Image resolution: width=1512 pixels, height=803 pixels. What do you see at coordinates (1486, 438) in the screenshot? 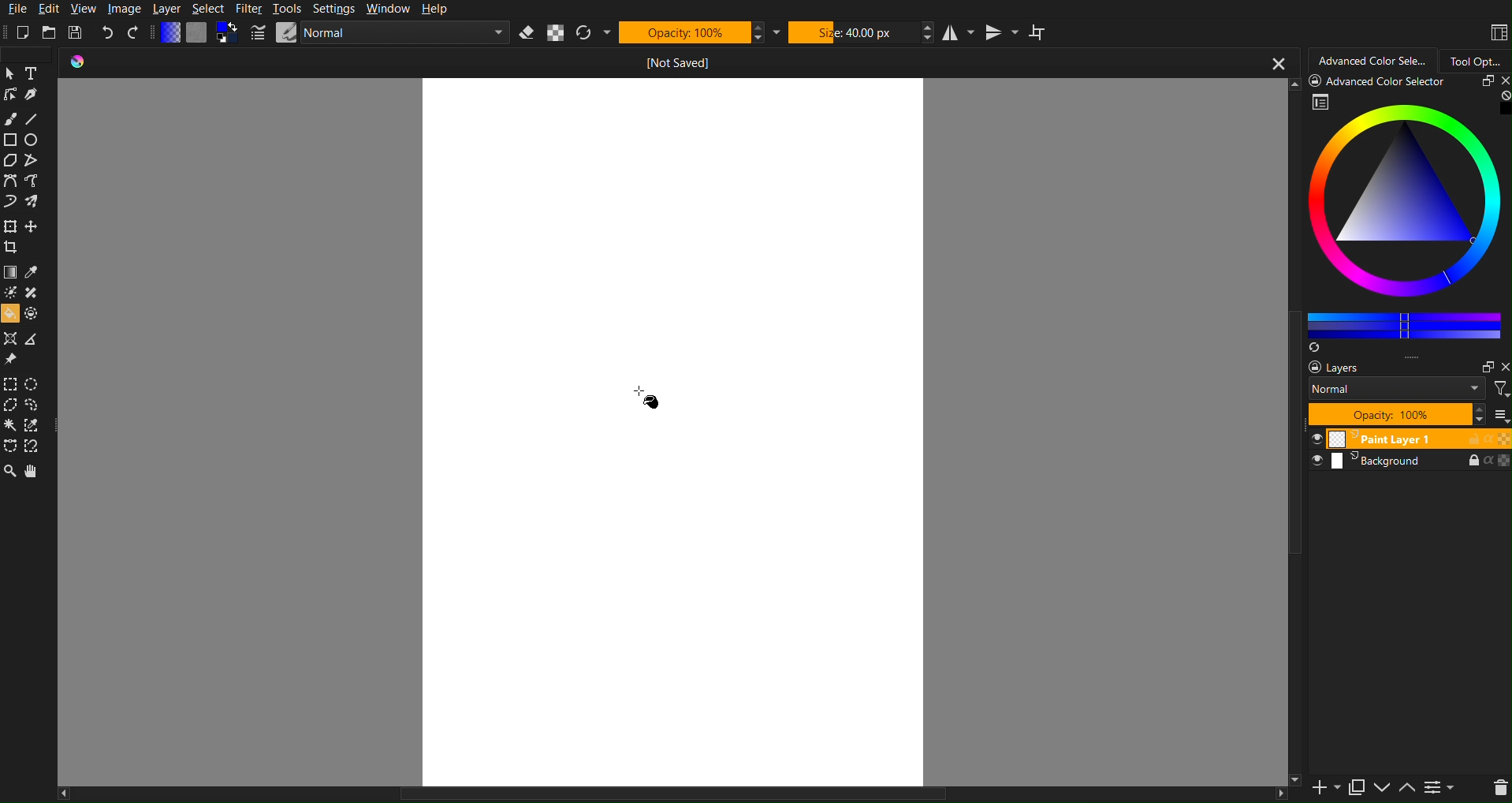
I see `alpha` at bounding box center [1486, 438].